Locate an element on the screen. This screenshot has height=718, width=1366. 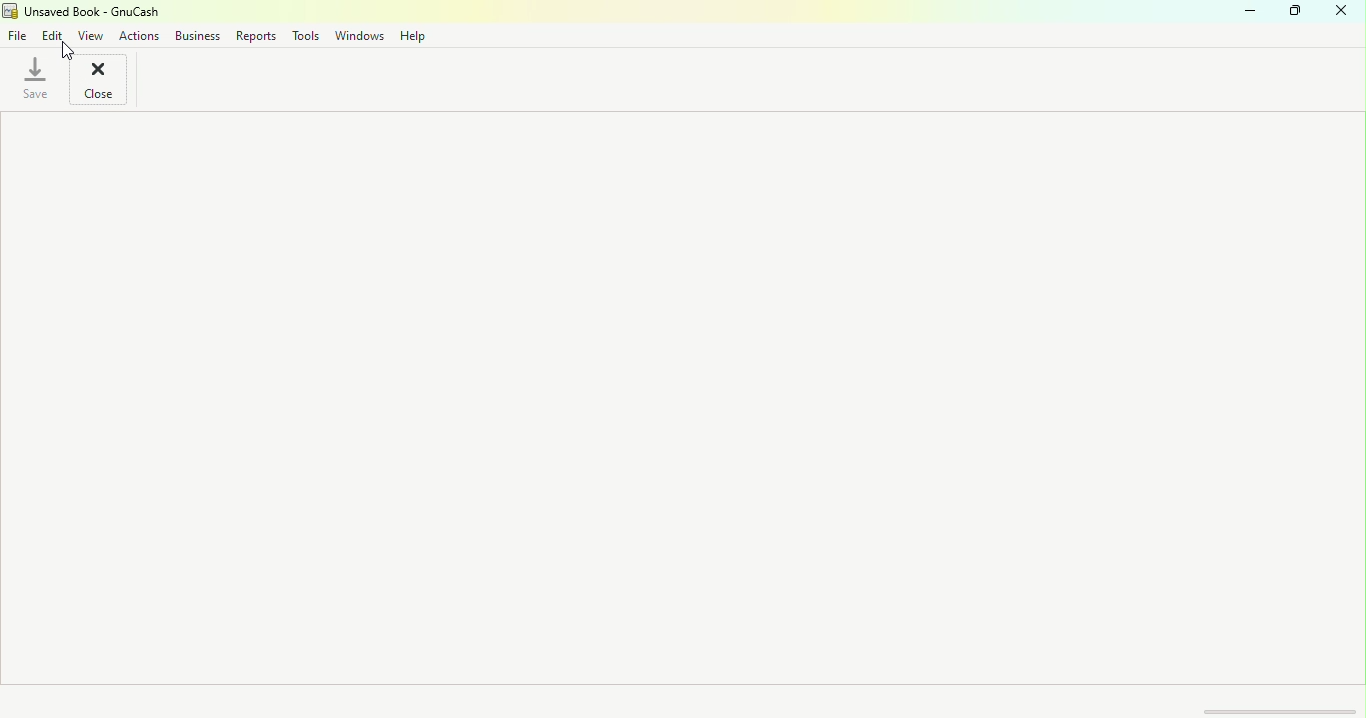
Close is located at coordinates (97, 79).